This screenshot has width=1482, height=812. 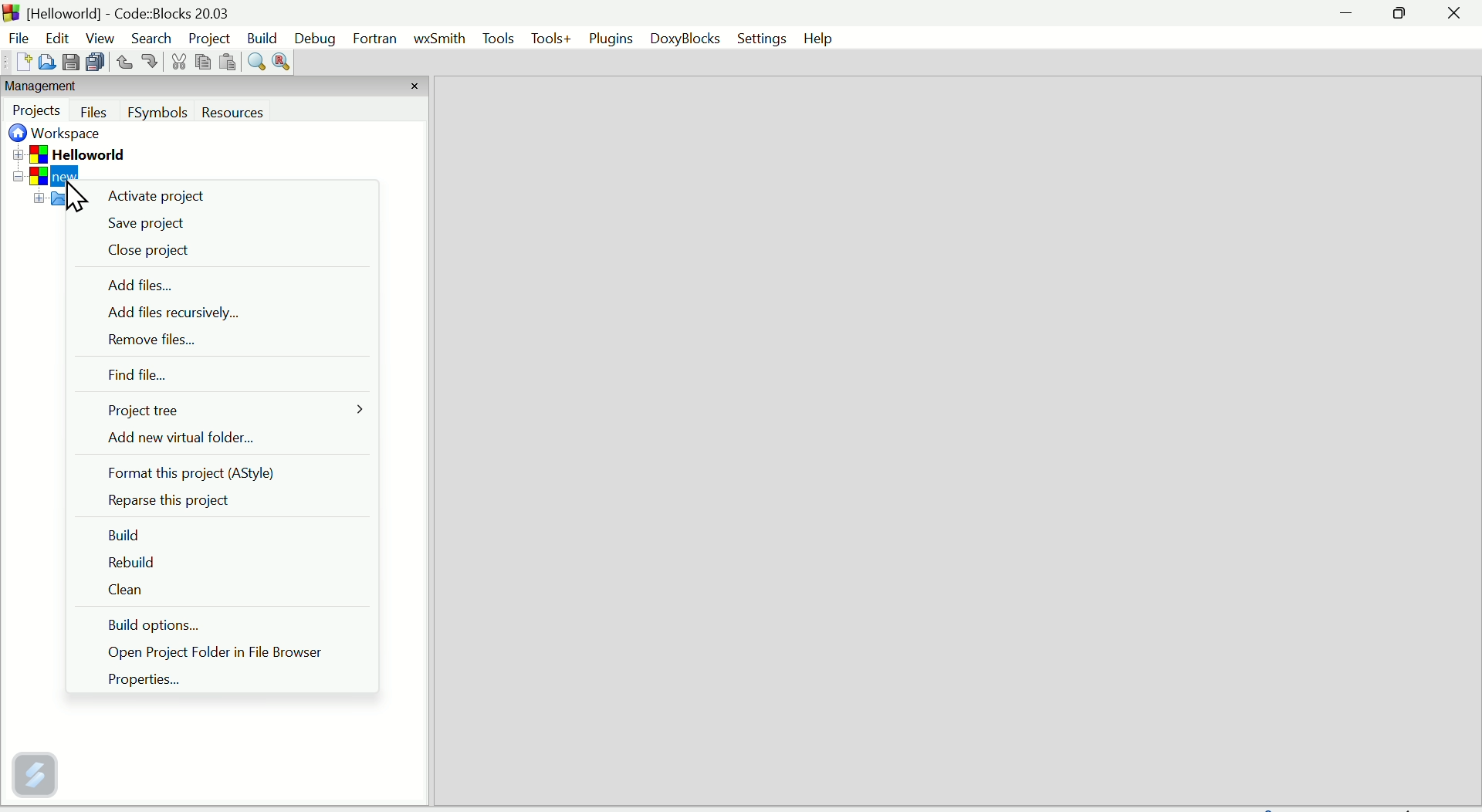 I want to click on Add new virtual folder, so click(x=214, y=440).